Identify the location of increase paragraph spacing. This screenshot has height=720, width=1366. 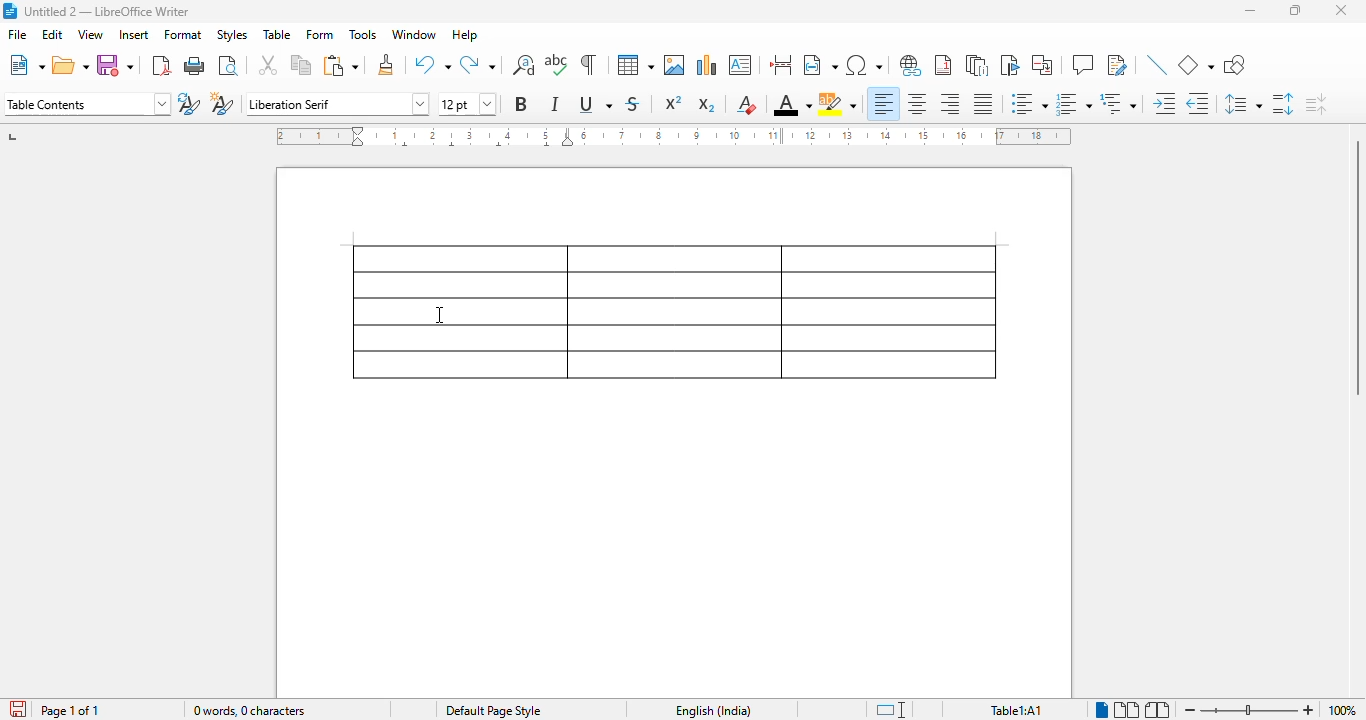
(1282, 104).